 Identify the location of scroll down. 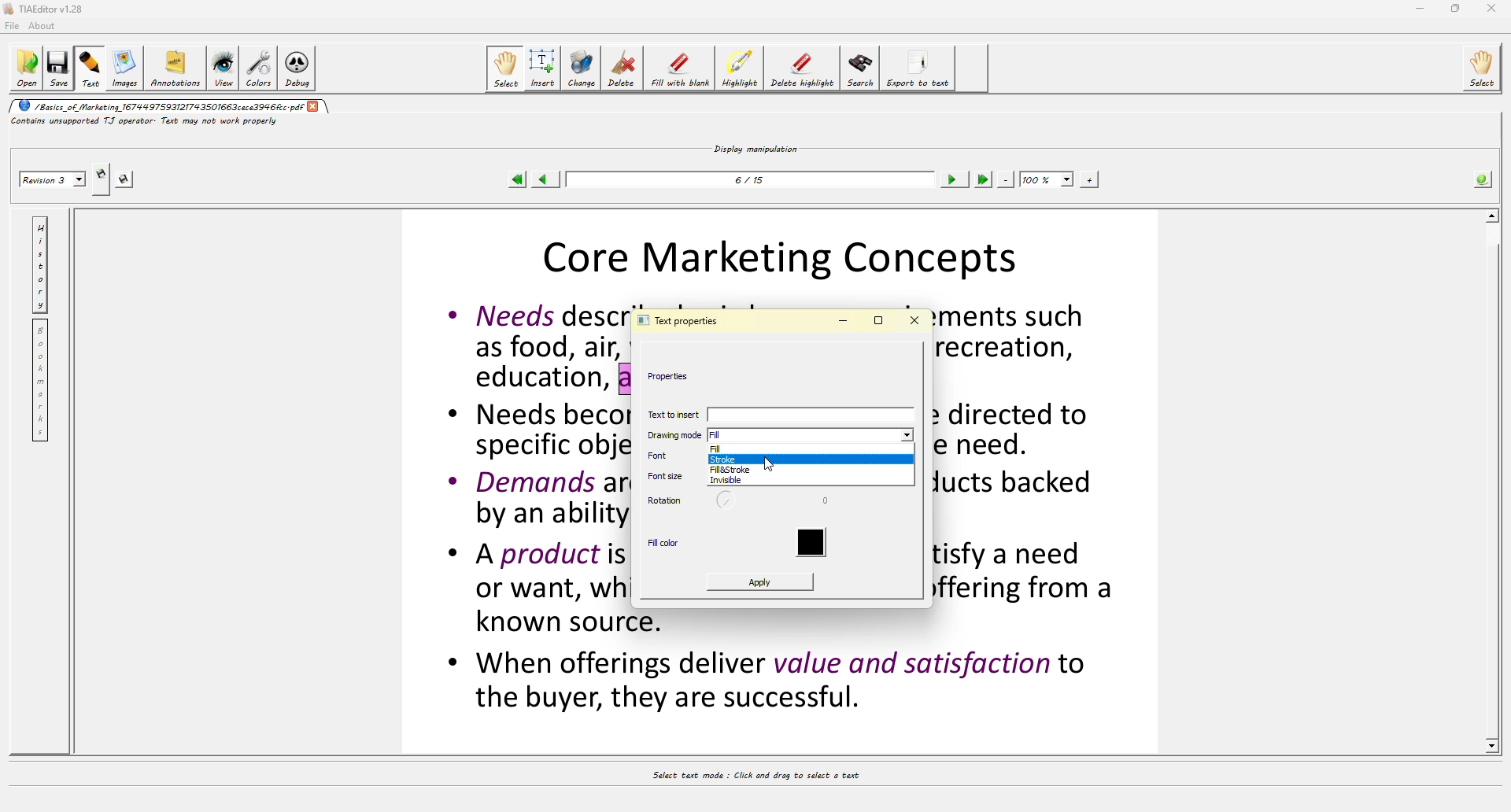
(1494, 746).